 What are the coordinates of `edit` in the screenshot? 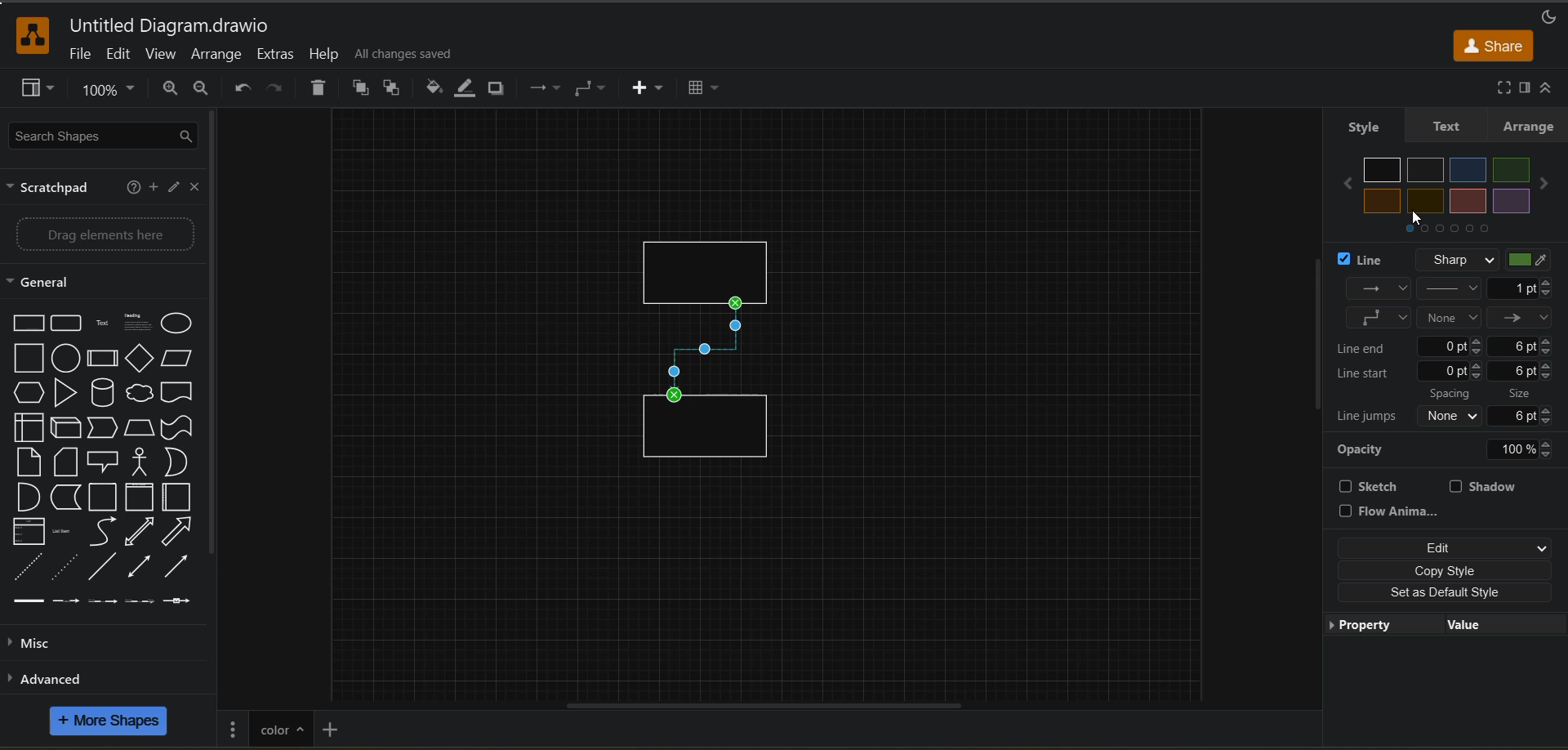 It's located at (120, 54).